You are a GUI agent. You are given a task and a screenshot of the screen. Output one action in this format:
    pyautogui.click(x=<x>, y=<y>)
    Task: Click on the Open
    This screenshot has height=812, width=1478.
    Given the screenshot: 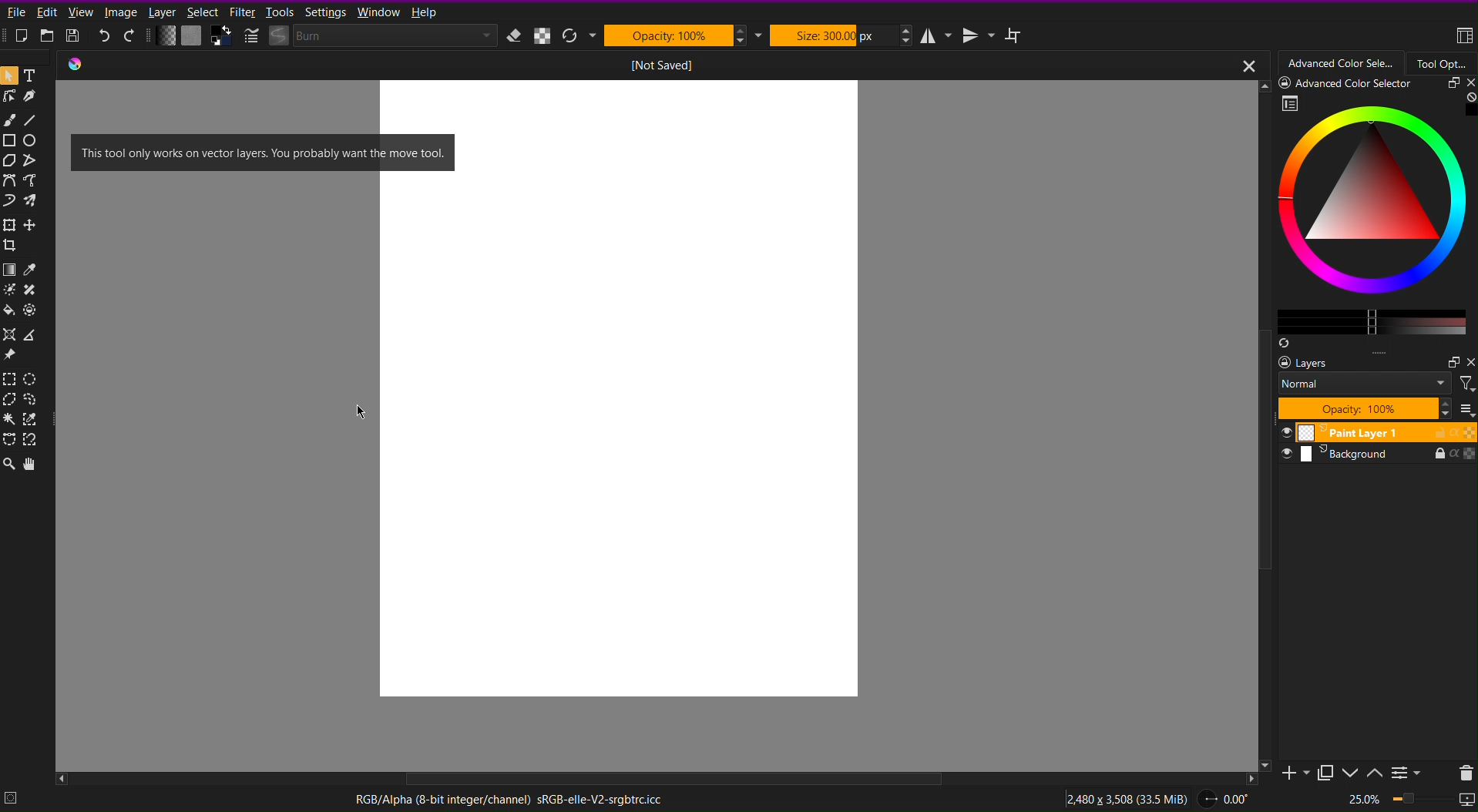 What is the action you would take?
    pyautogui.click(x=49, y=37)
    